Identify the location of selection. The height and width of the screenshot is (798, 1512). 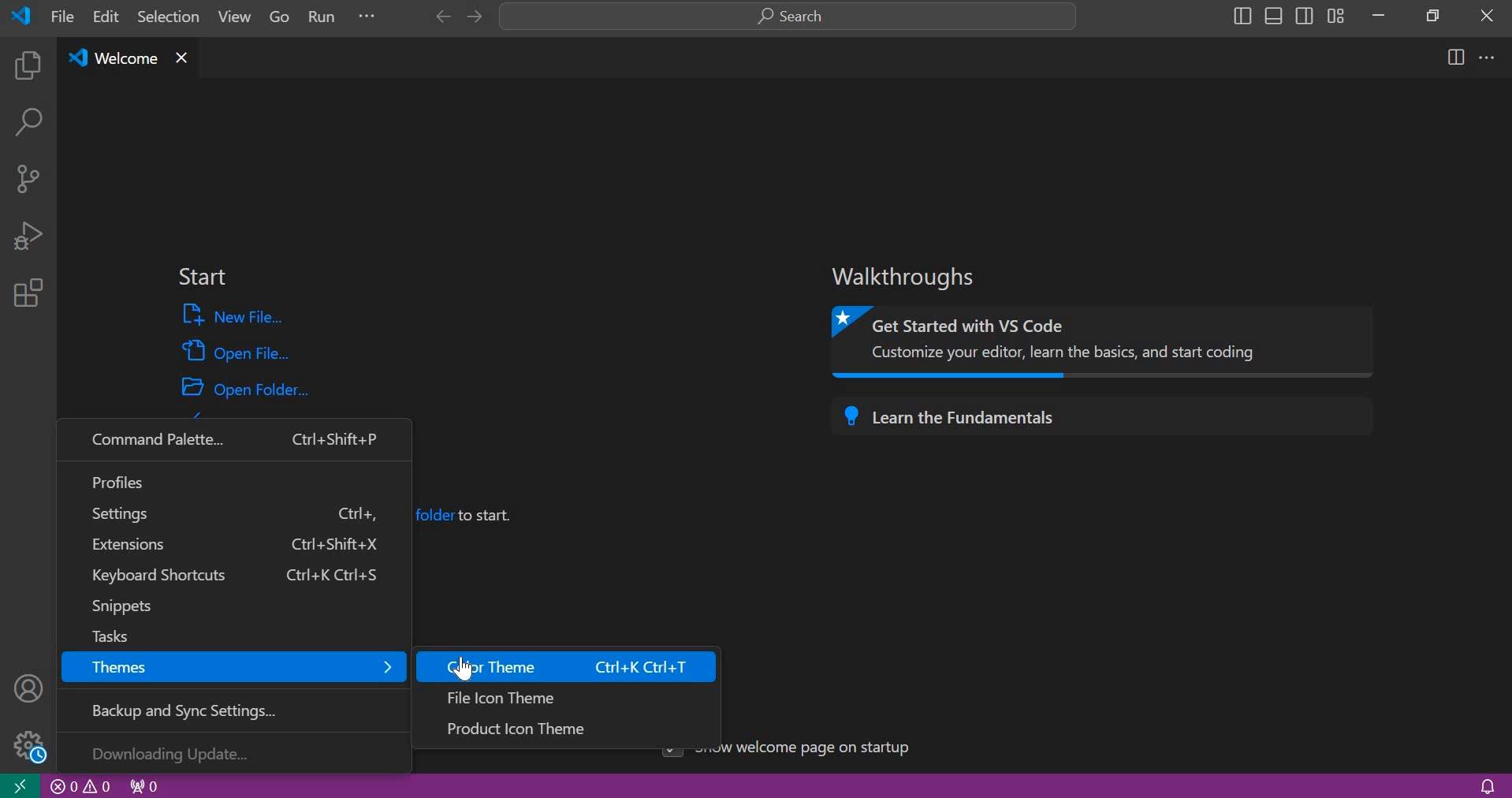
(169, 16).